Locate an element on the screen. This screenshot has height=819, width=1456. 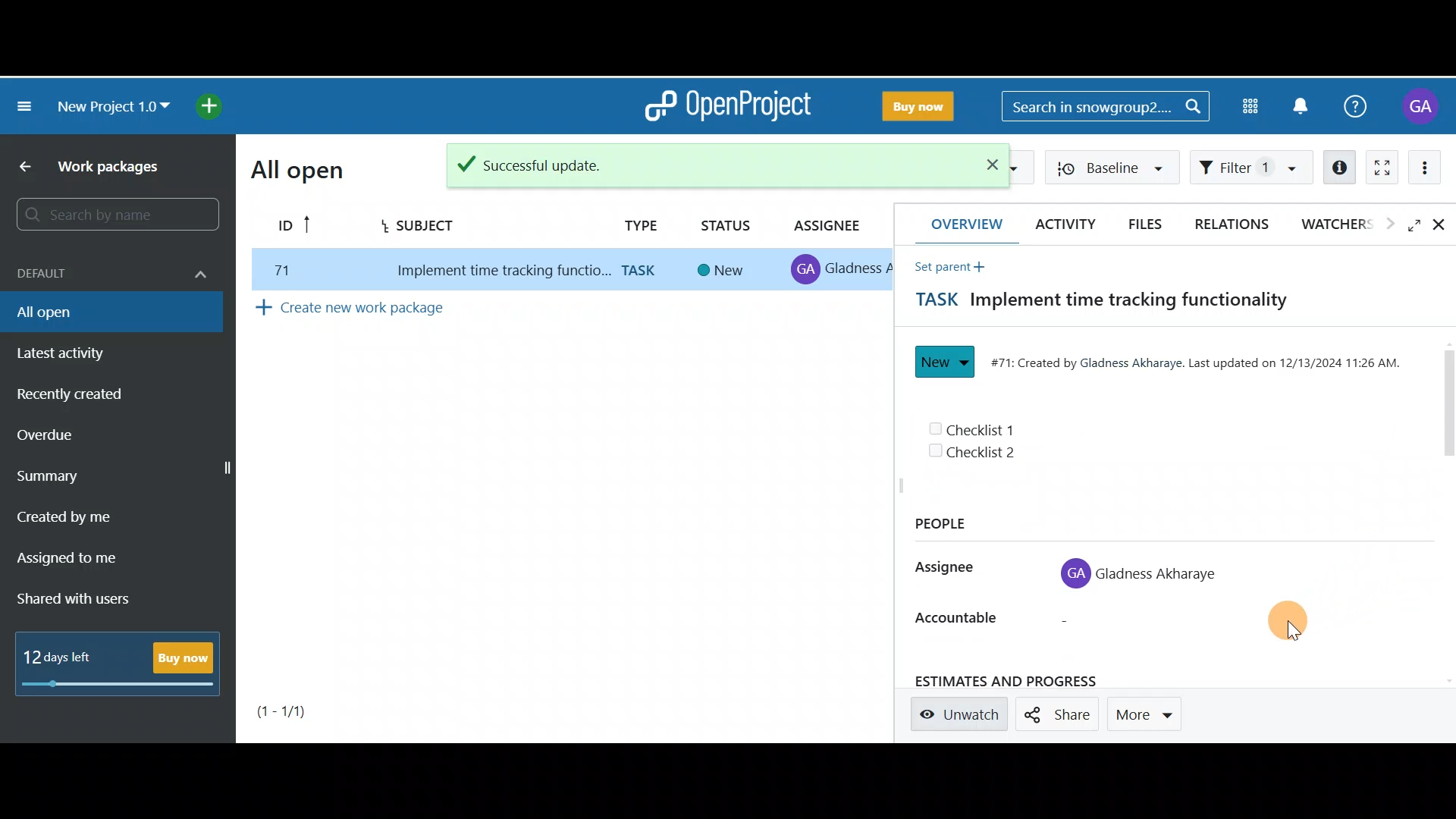
ID is located at coordinates (290, 227).